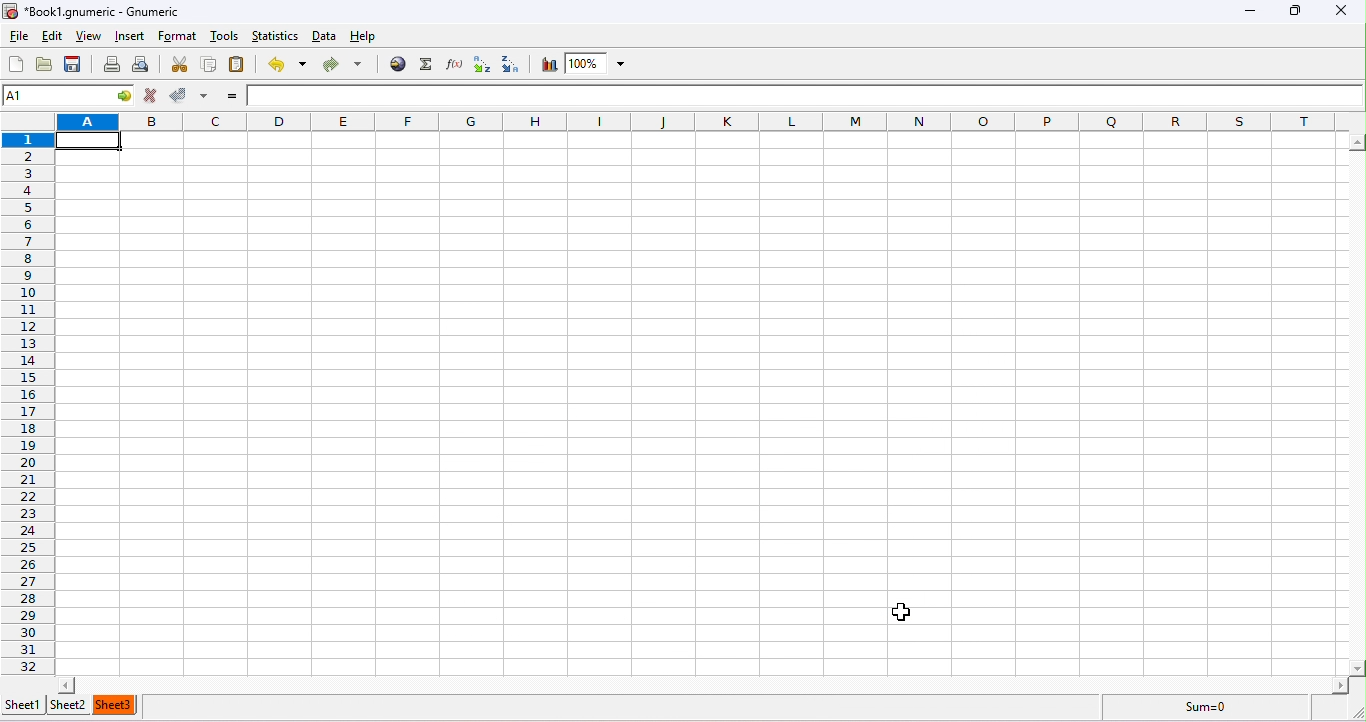 This screenshot has height=722, width=1366. What do you see at coordinates (47, 66) in the screenshot?
I see `open a file` at bounding box center [47, 66].